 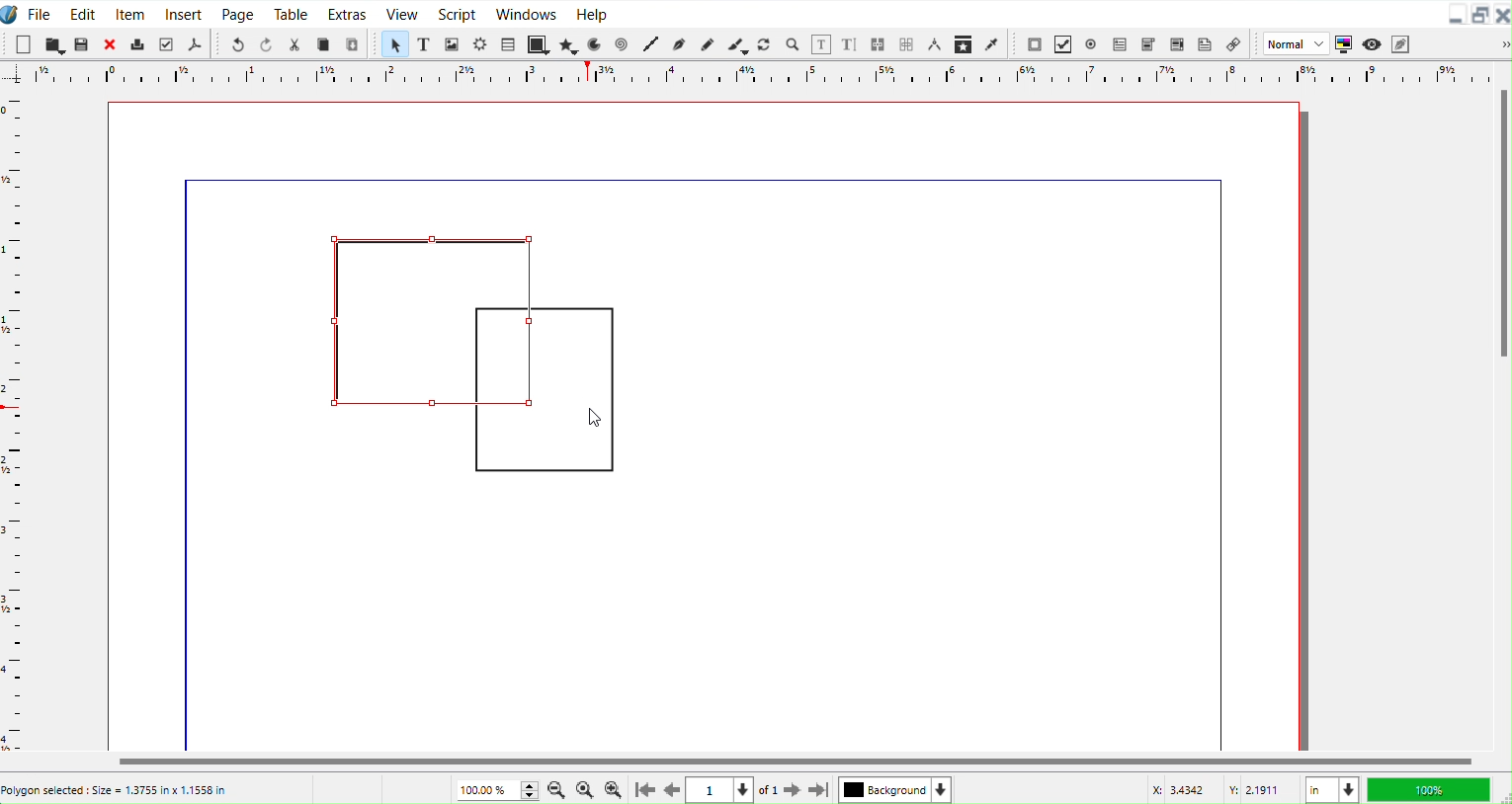 I want to click on Redo, so click(x=266, y=43).